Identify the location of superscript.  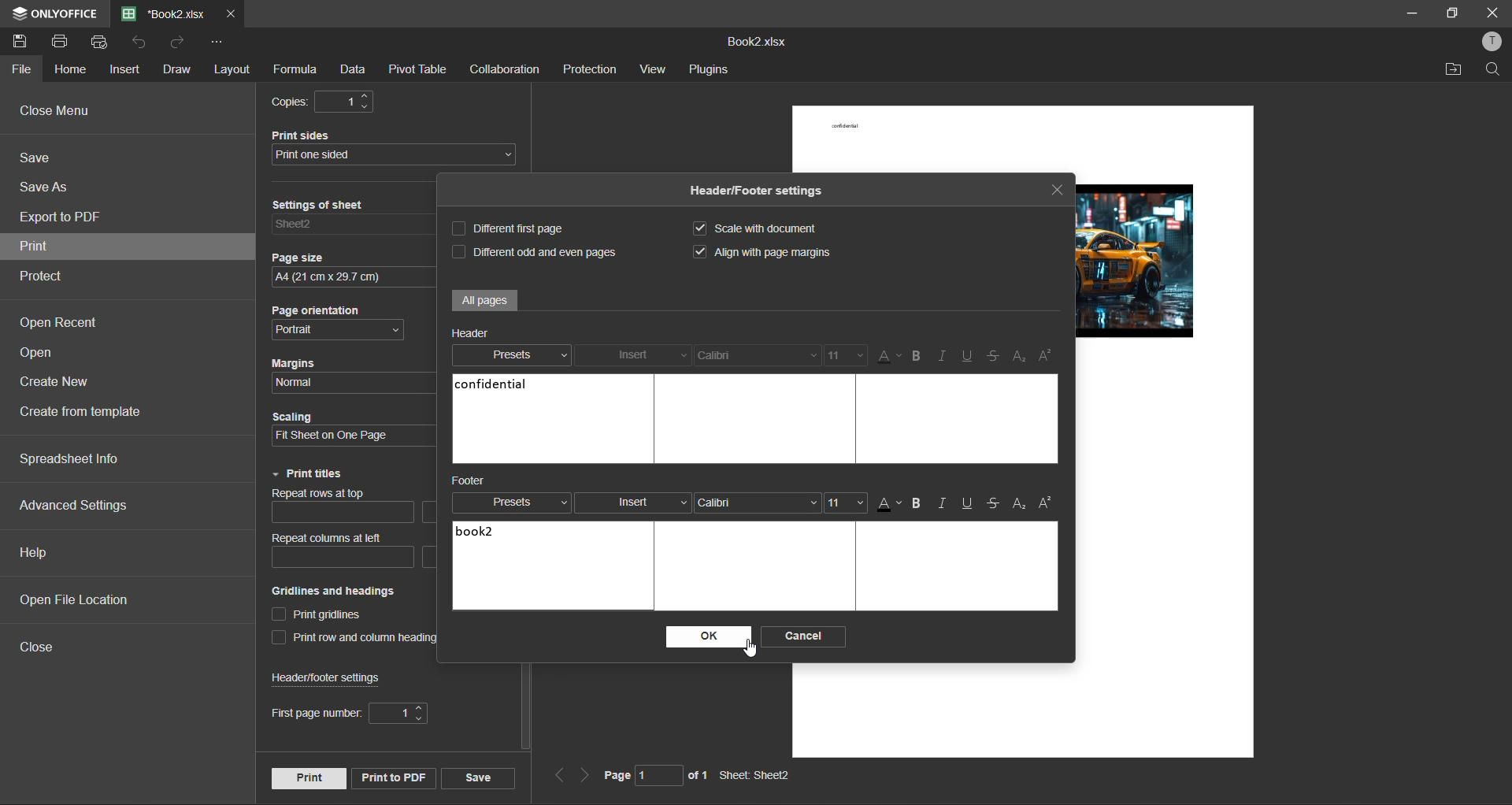
(1047, 506).